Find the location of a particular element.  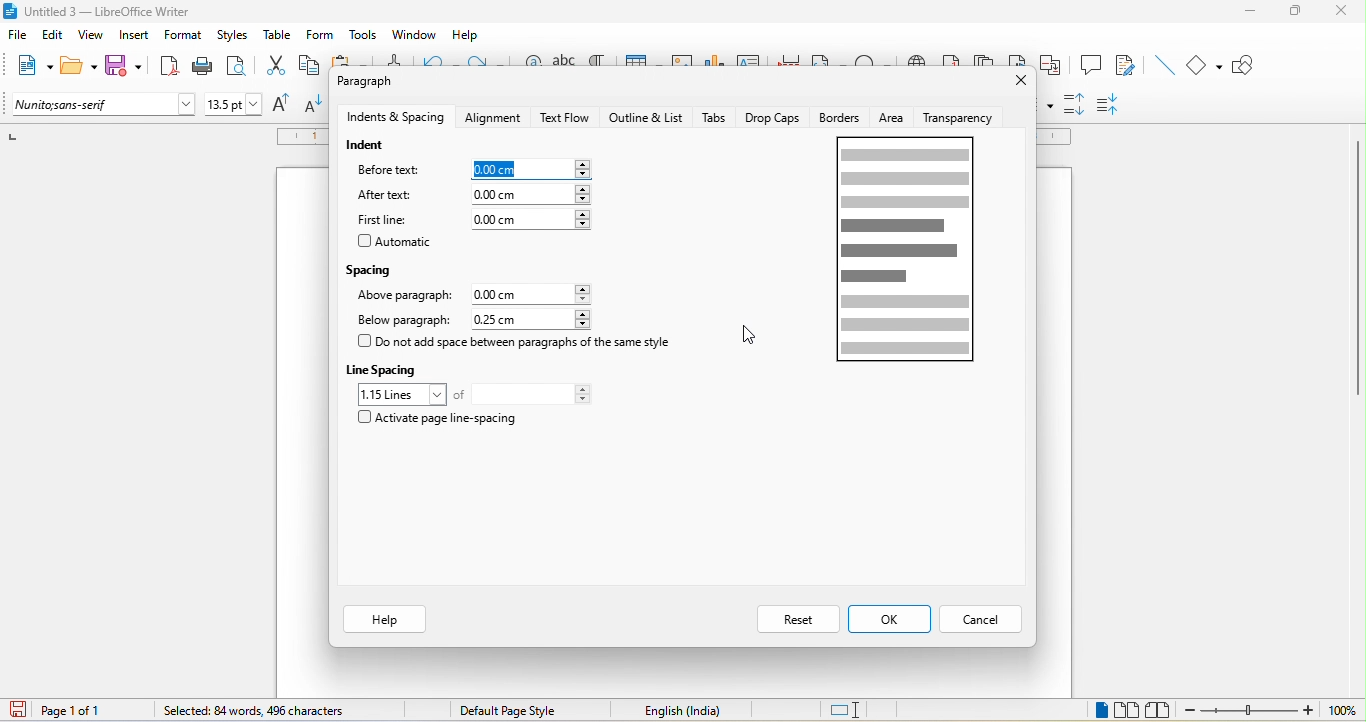

open is located at coordinates (79, 67).